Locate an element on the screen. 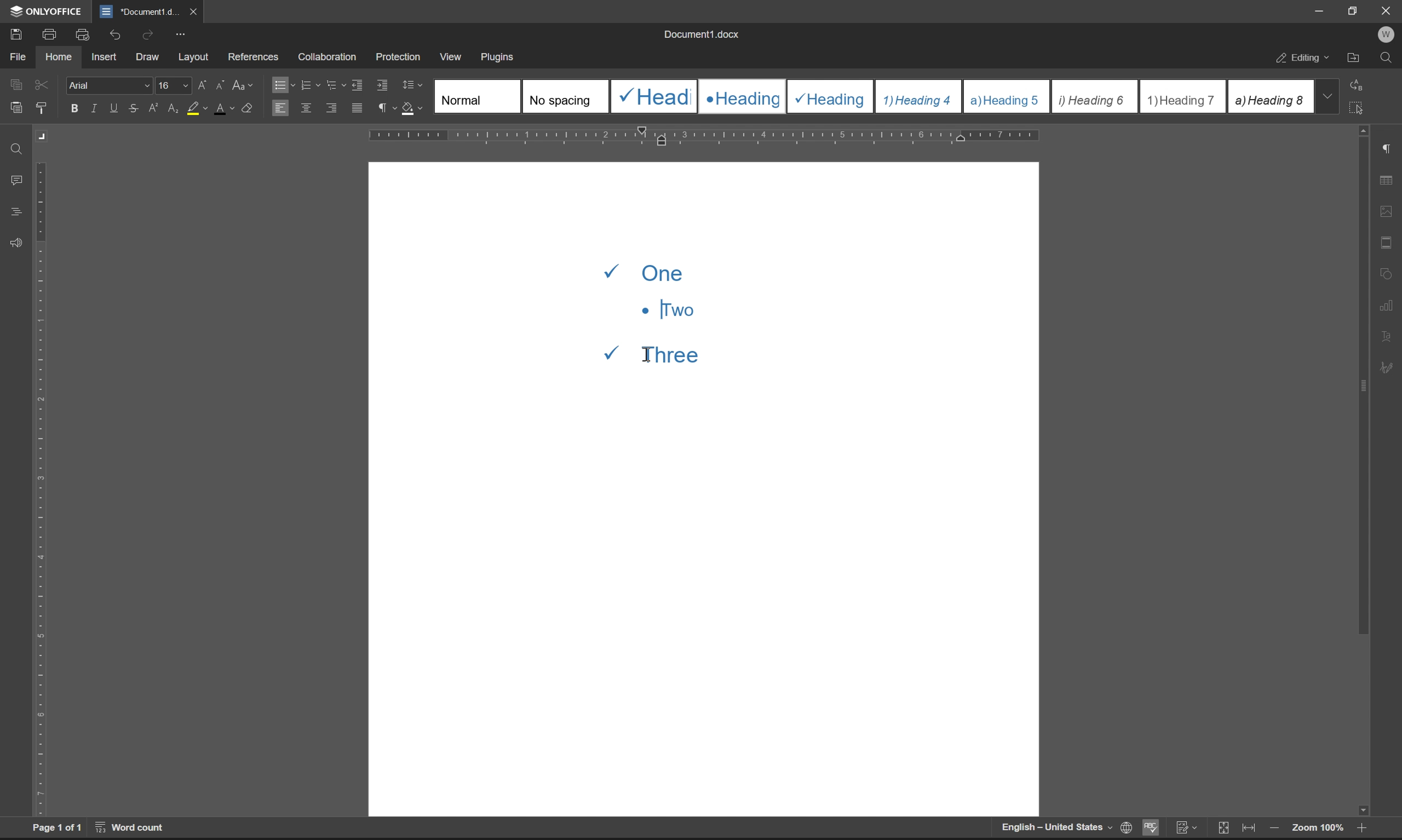  replace is located at coordinates (1360, 84).